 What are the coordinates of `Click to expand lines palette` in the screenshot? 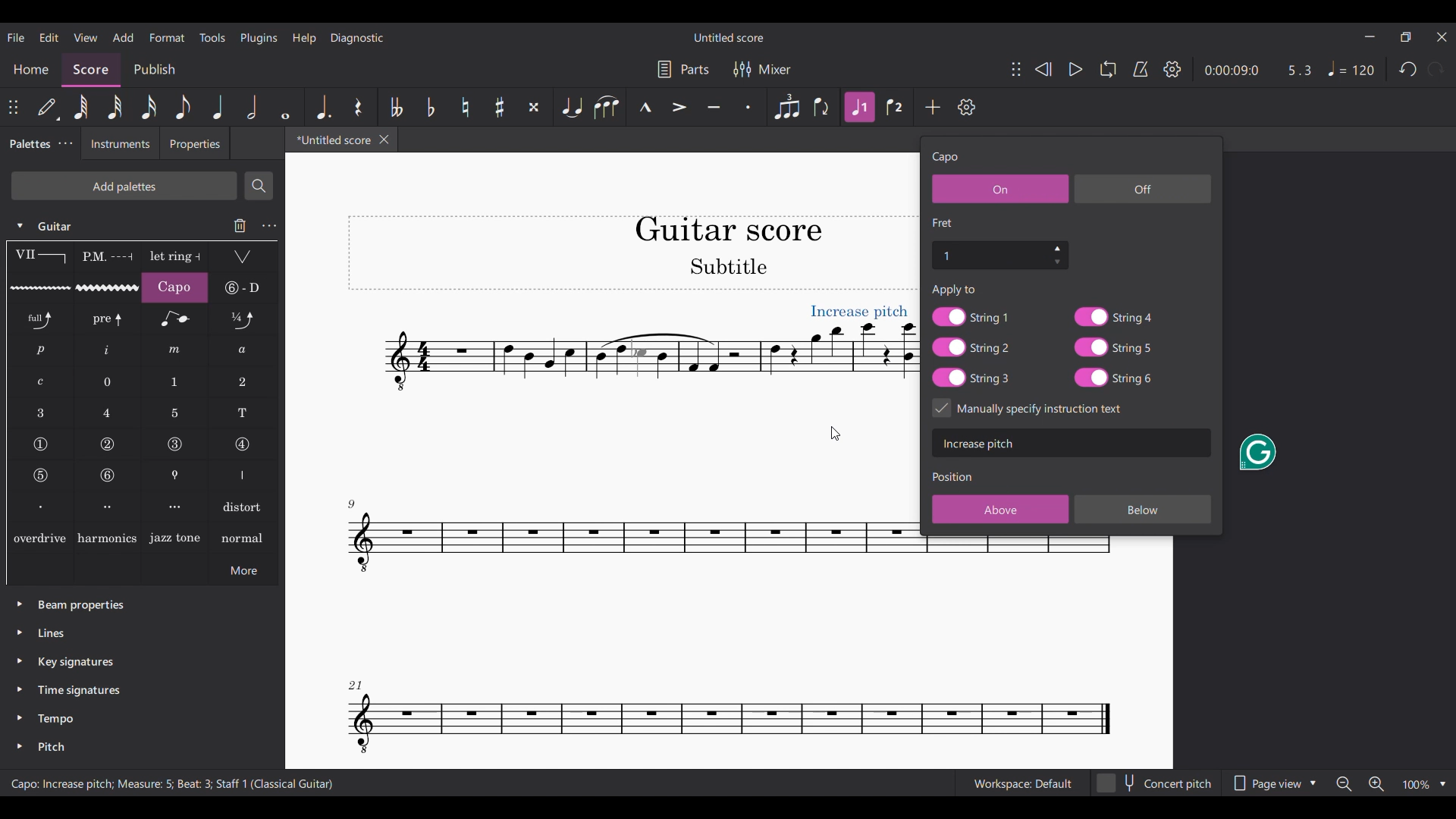 It's located at (19, 632).